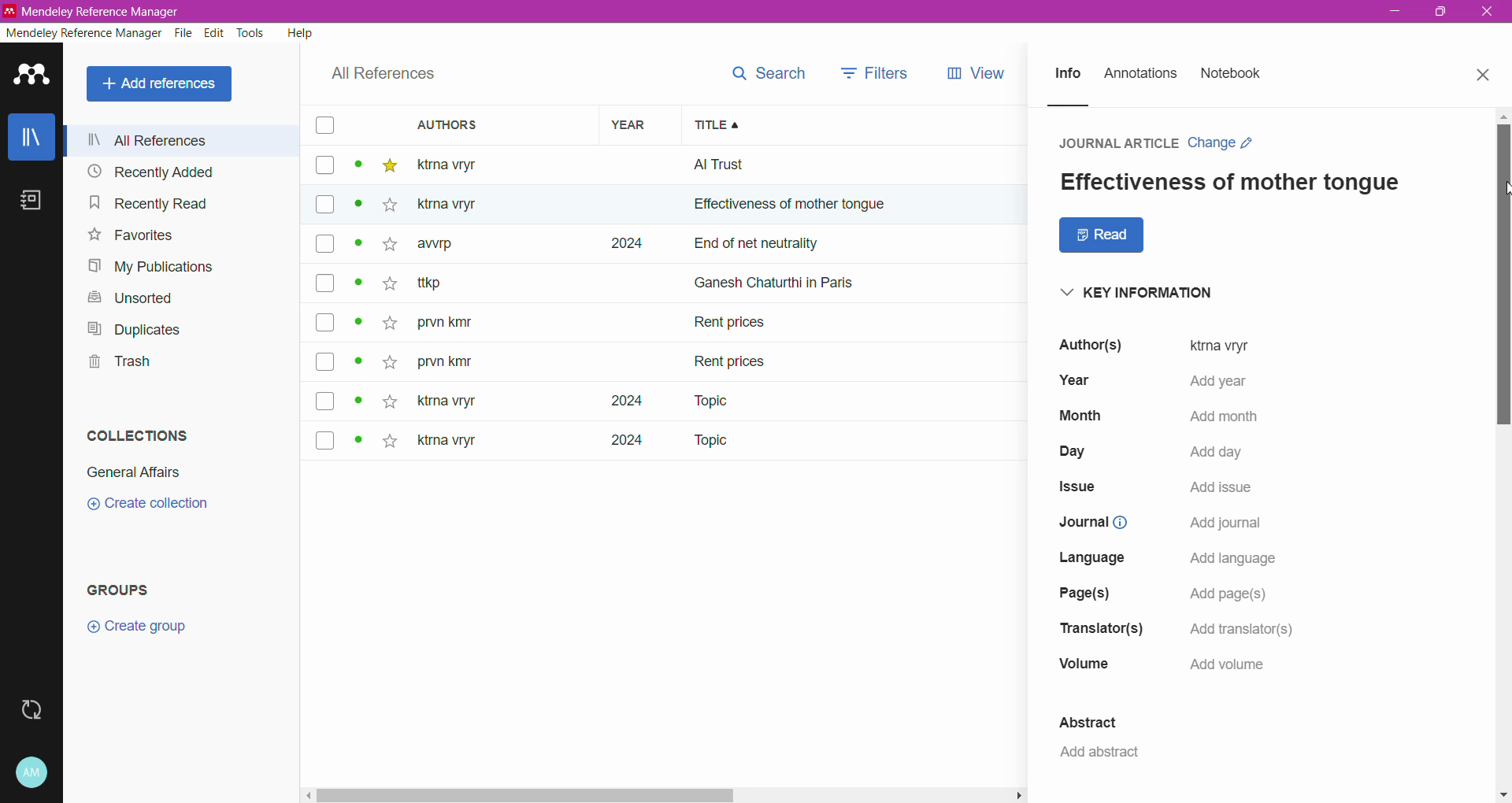 This screenshot has height=803, width=1512. I want to click on Trash, so click(117, 361).